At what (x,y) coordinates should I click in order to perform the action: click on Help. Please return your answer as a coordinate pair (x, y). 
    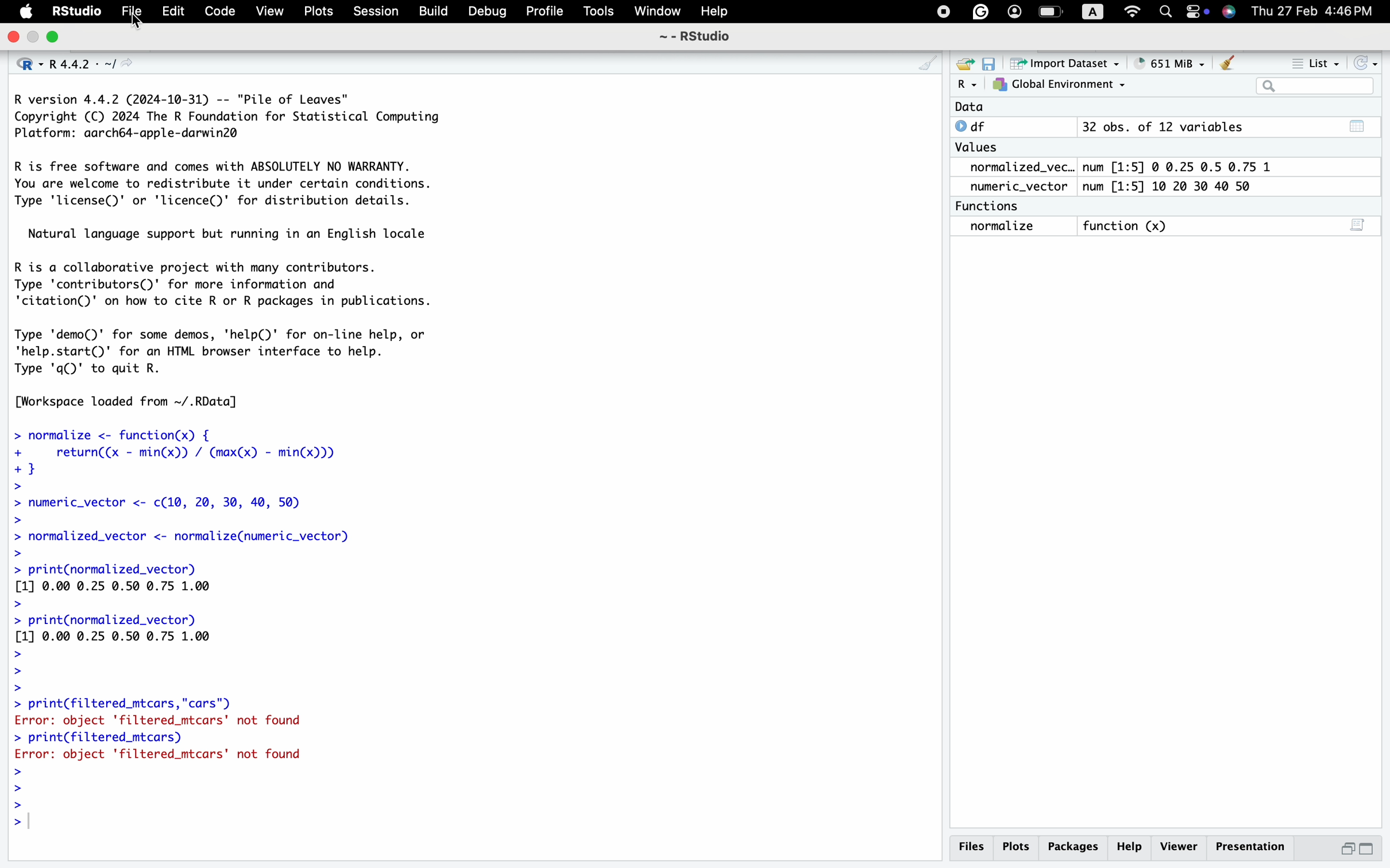
    Looking at the image, I should click on (721, 11).